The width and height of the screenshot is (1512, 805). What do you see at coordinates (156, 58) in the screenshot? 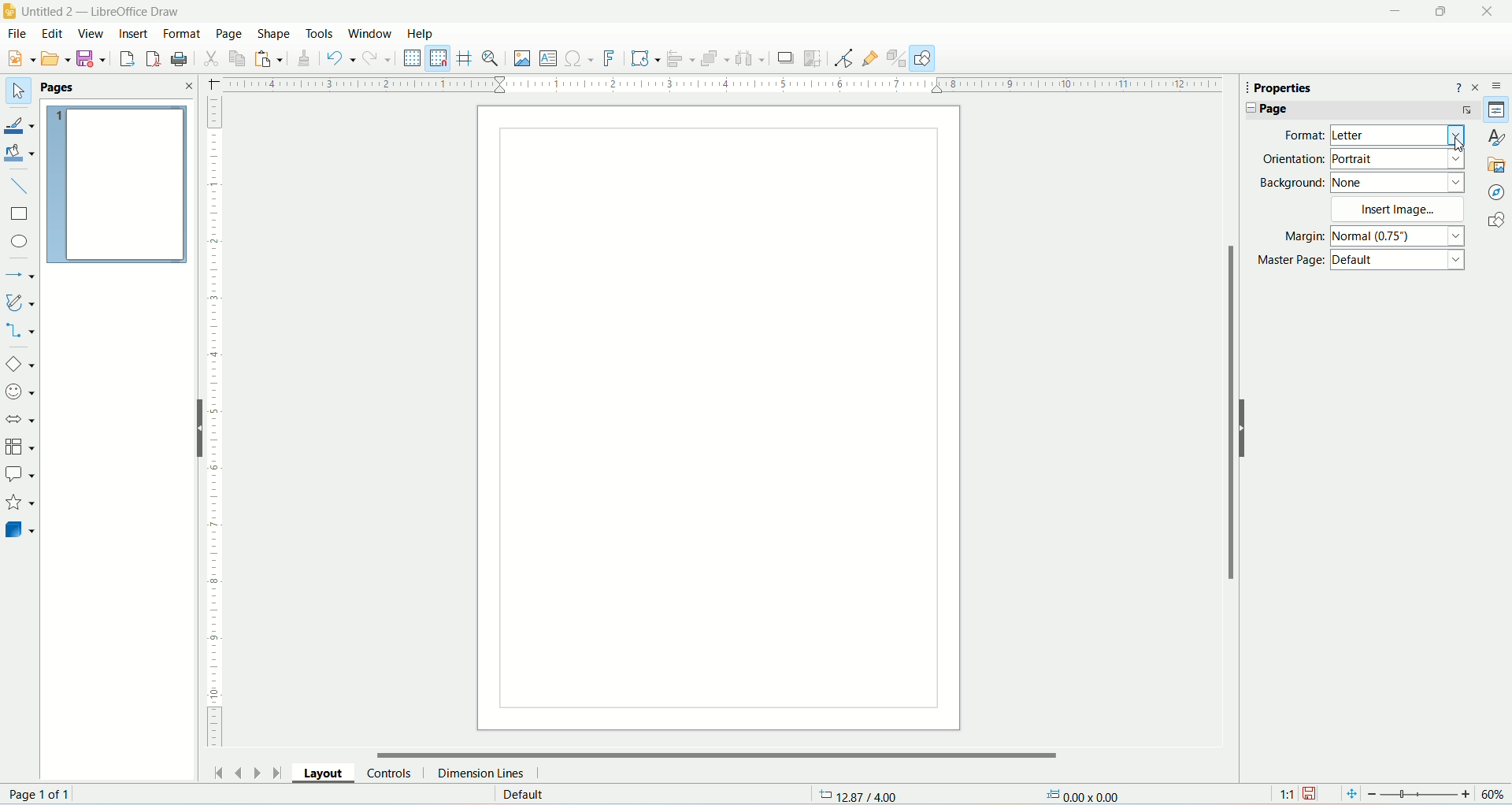
I see `export directly as PDF` at bounding box center [156, 58].